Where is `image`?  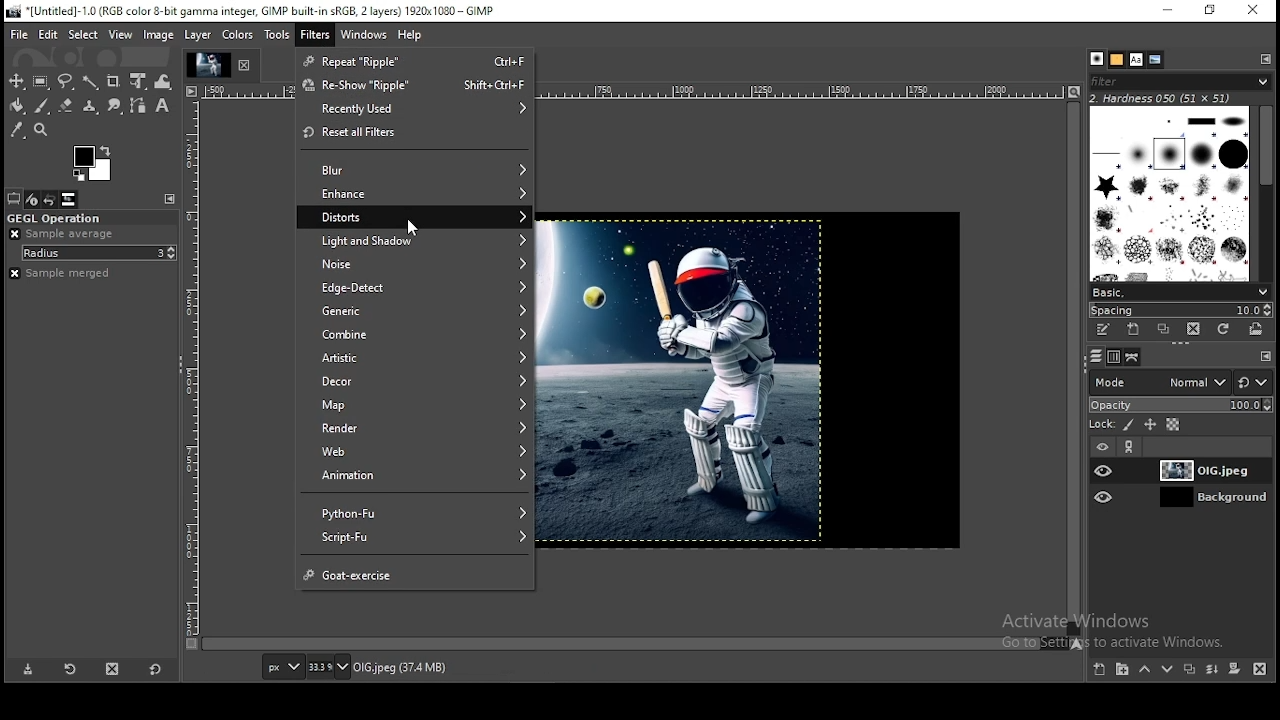
image is located at coordinates (158, 34).